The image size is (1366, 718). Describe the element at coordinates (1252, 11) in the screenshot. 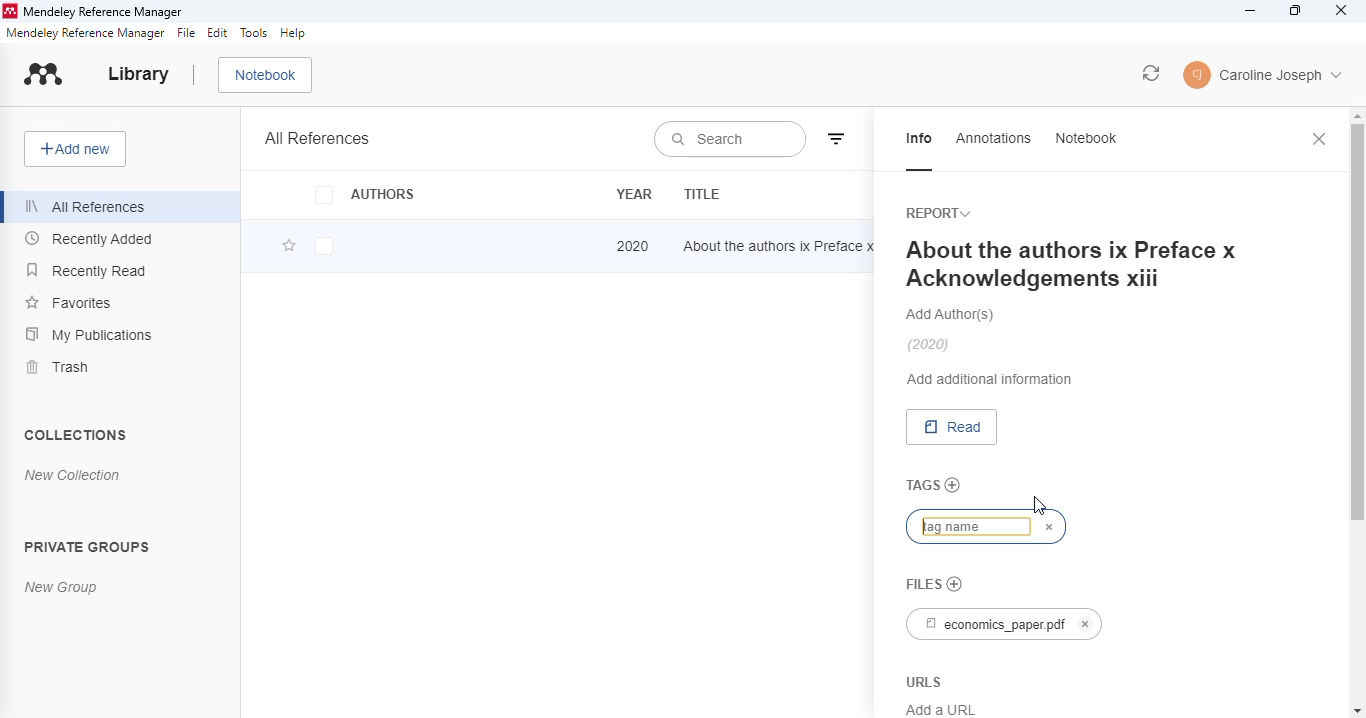

I see `minimize` at that location.